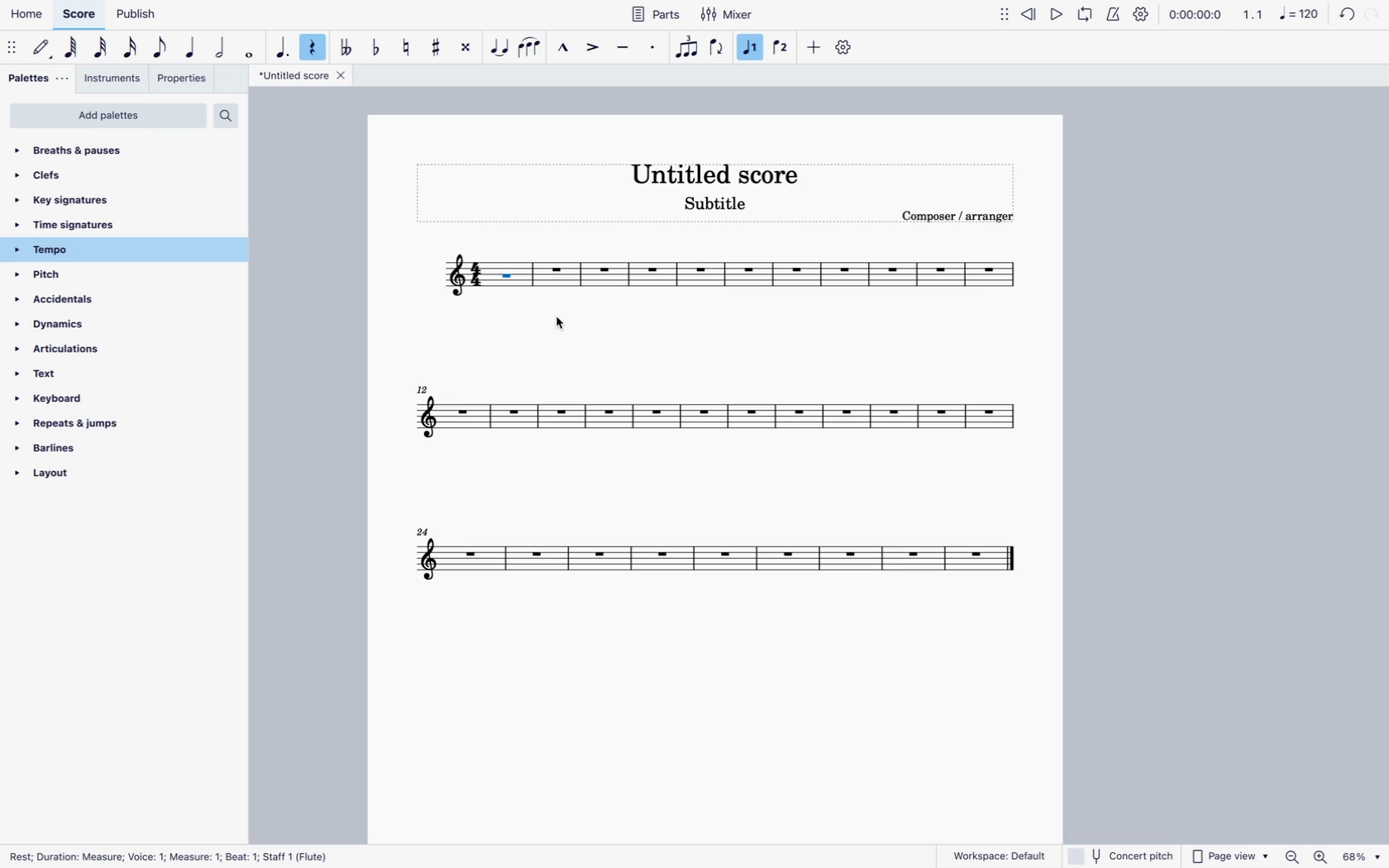 The width and height of the screenshot is (1389, 868). I want to click on 32nd note, so click(103, 48).